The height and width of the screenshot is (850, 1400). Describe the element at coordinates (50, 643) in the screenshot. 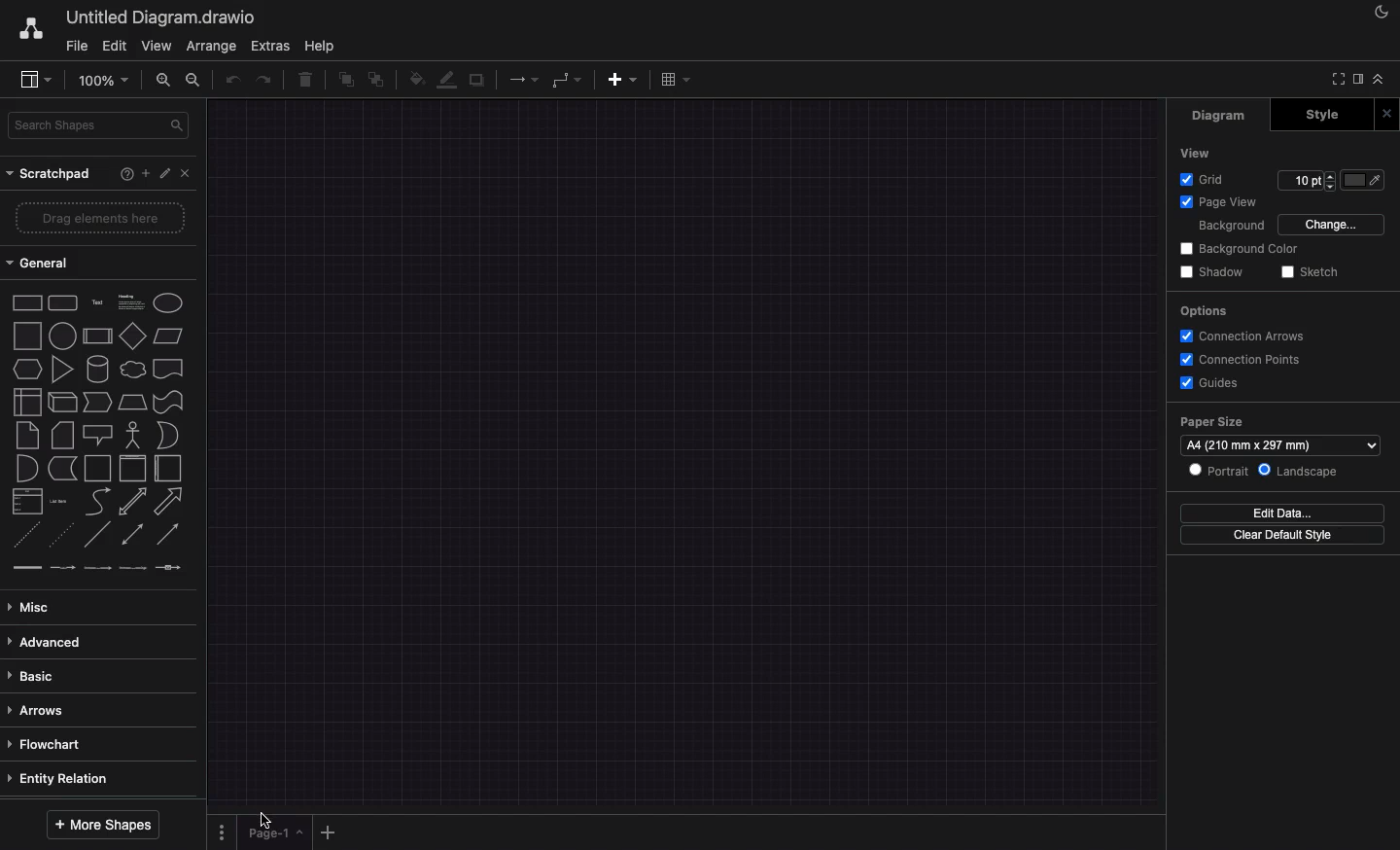

I see `advanced` at that location.